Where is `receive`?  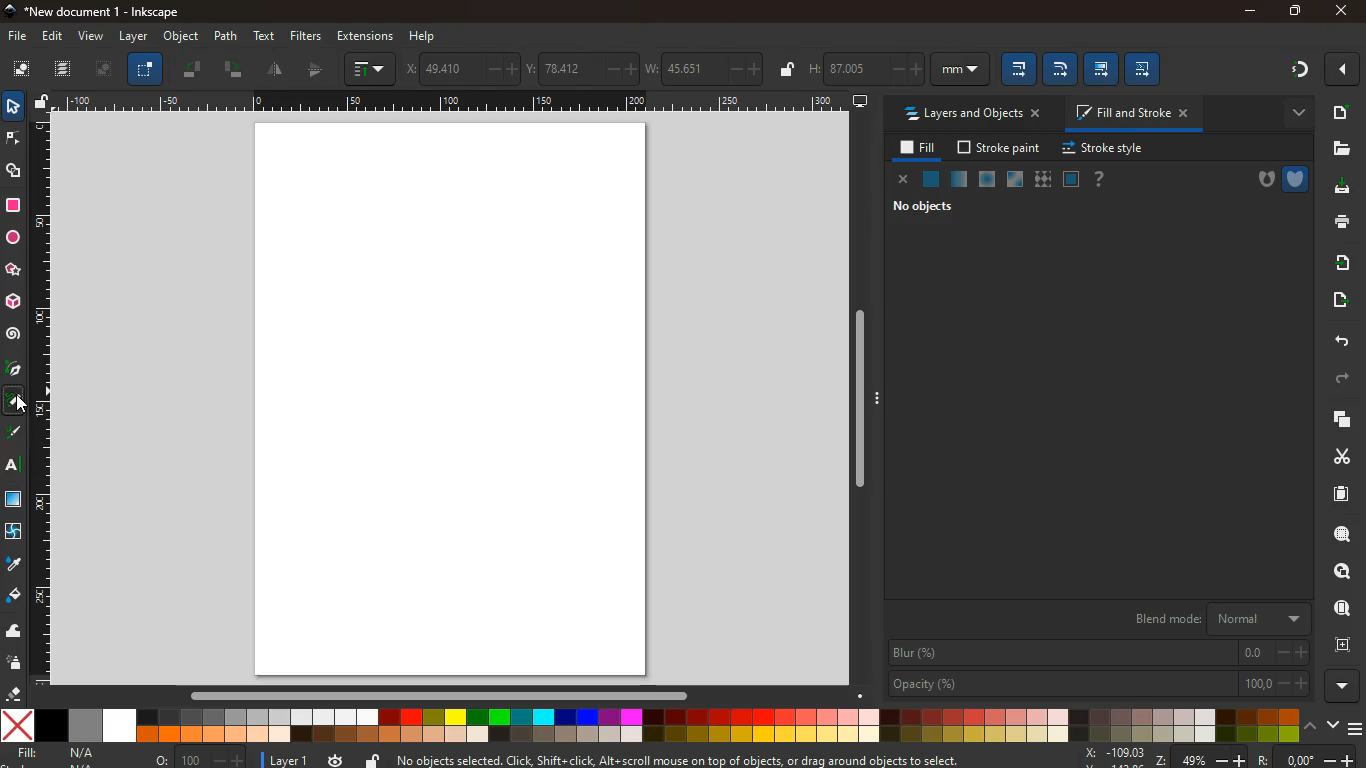
receive is located at coordinates (1341, 261).